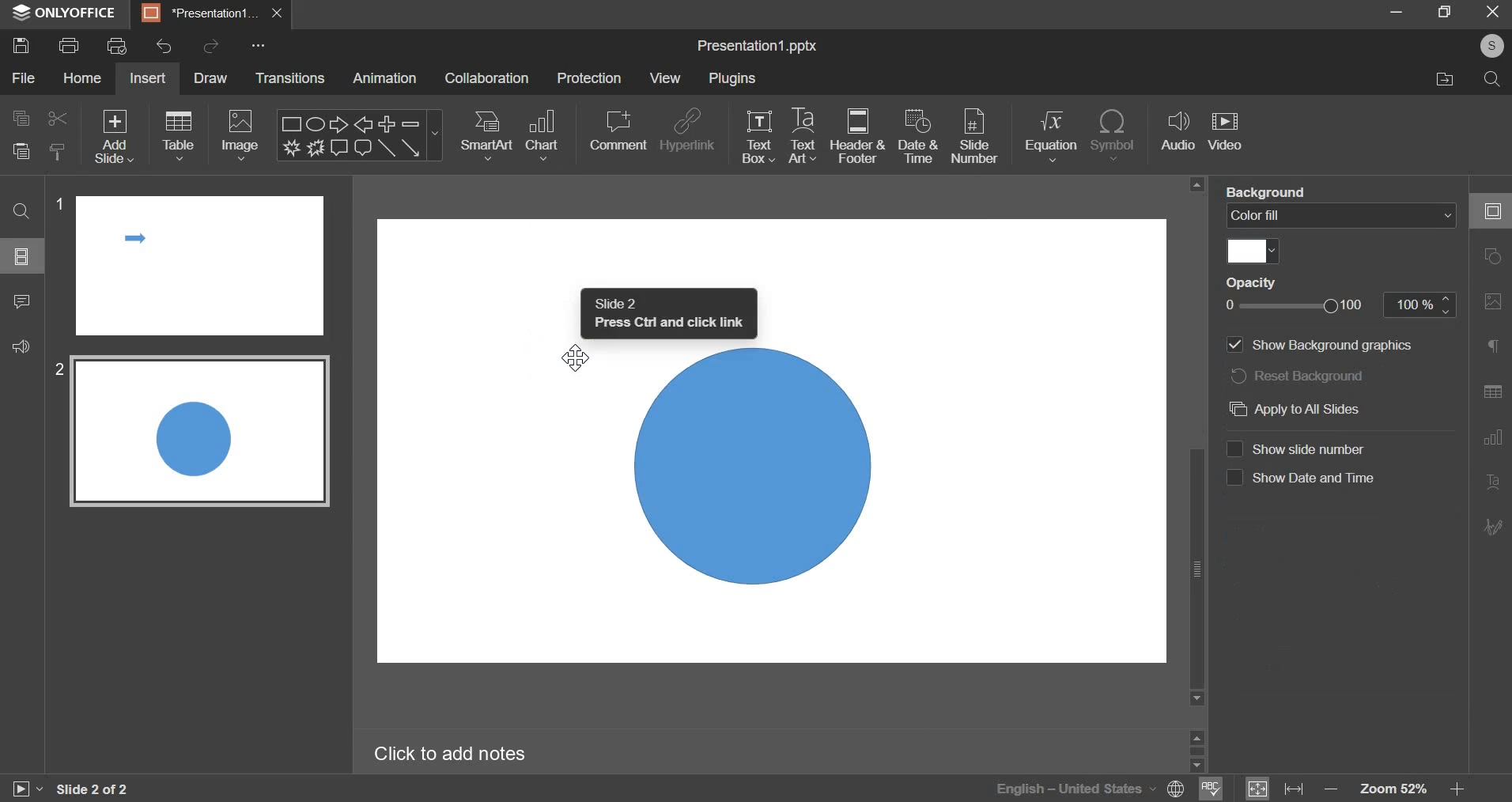 This screenshot has height=802, width=1512. Describe the element at coordinates (589, 79) in the screenshot. I see `protection` at that location.